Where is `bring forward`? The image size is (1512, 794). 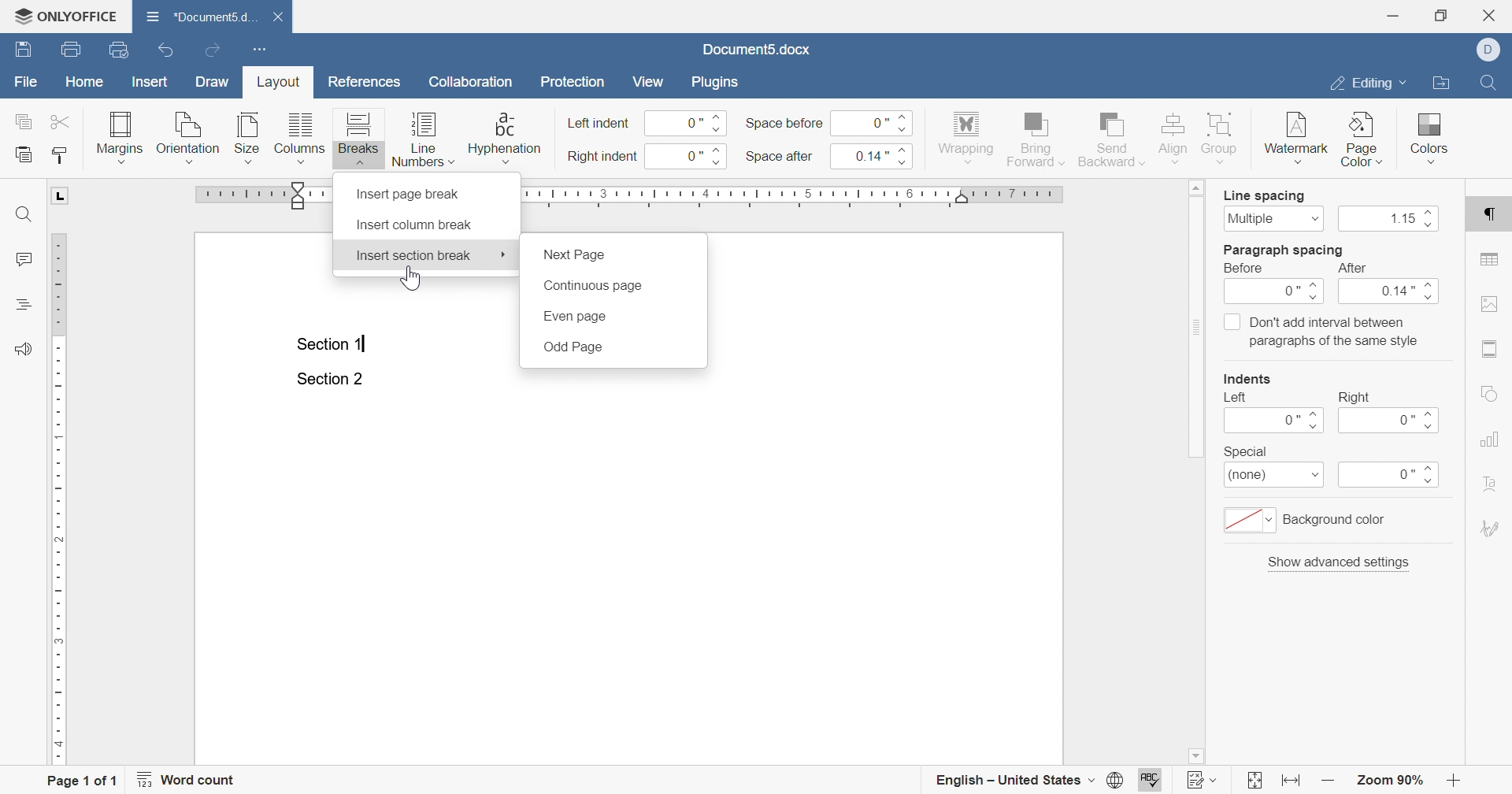
bring forward is located at coordinates (1035, 139).